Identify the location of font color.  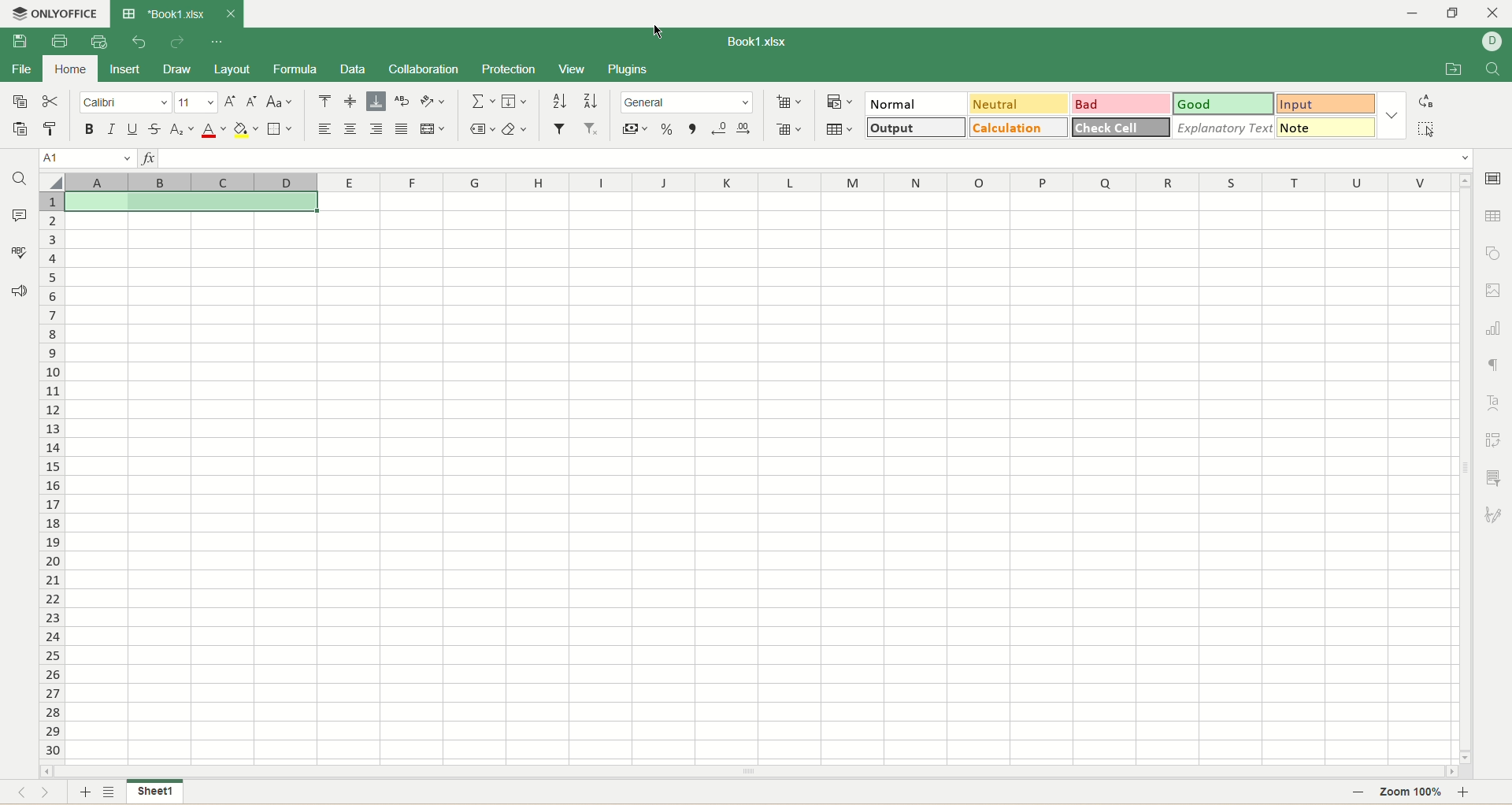
(213, 131).